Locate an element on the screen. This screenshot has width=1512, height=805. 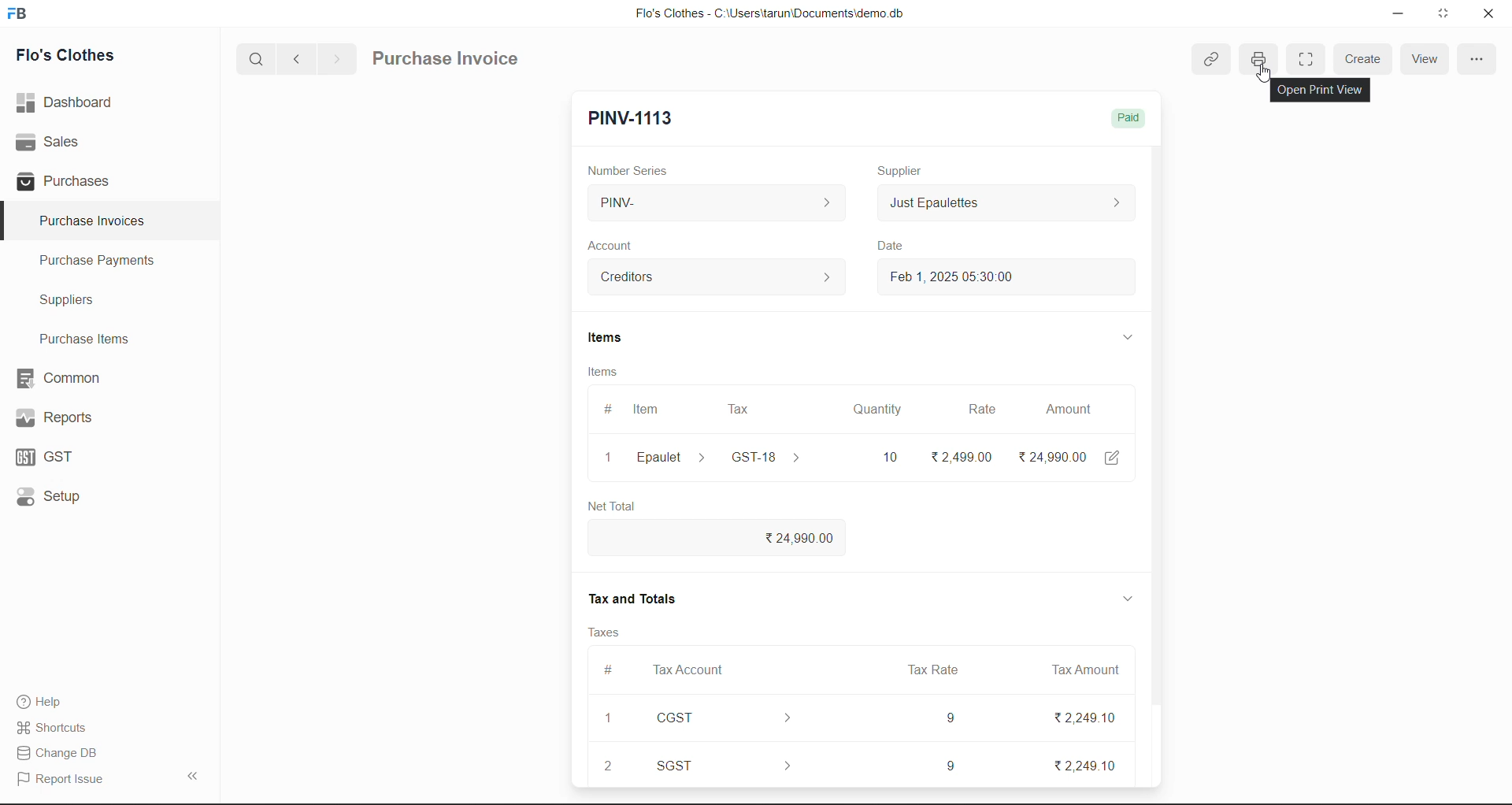
Amount is located at coordinates (1069, 410).